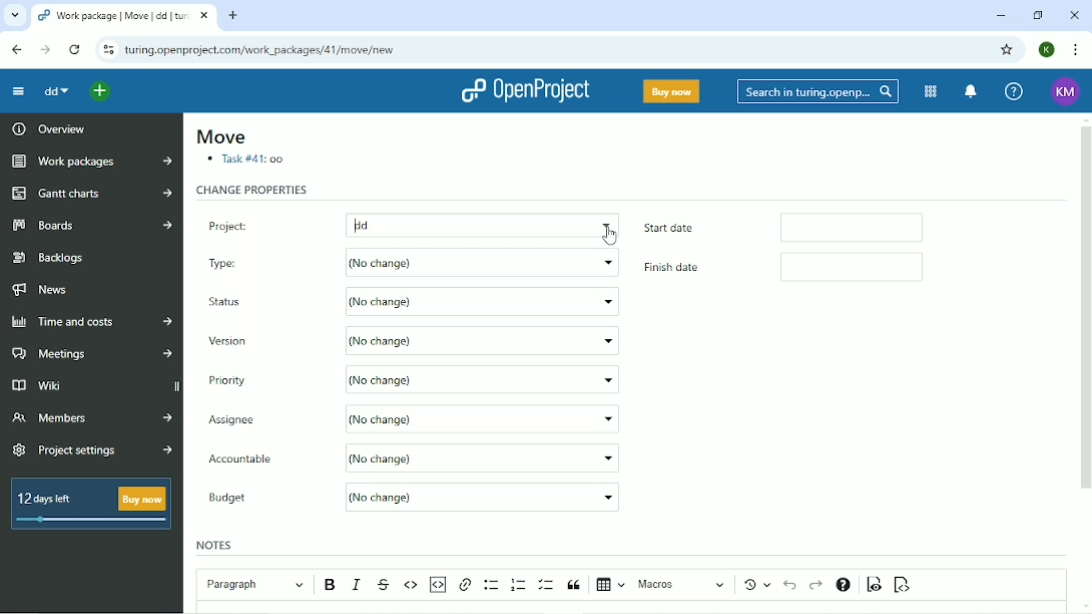 The image size is (1092, 614). Describe the element at coordinates (482, 496) in the screenshot. I see `(No change)` at that location.